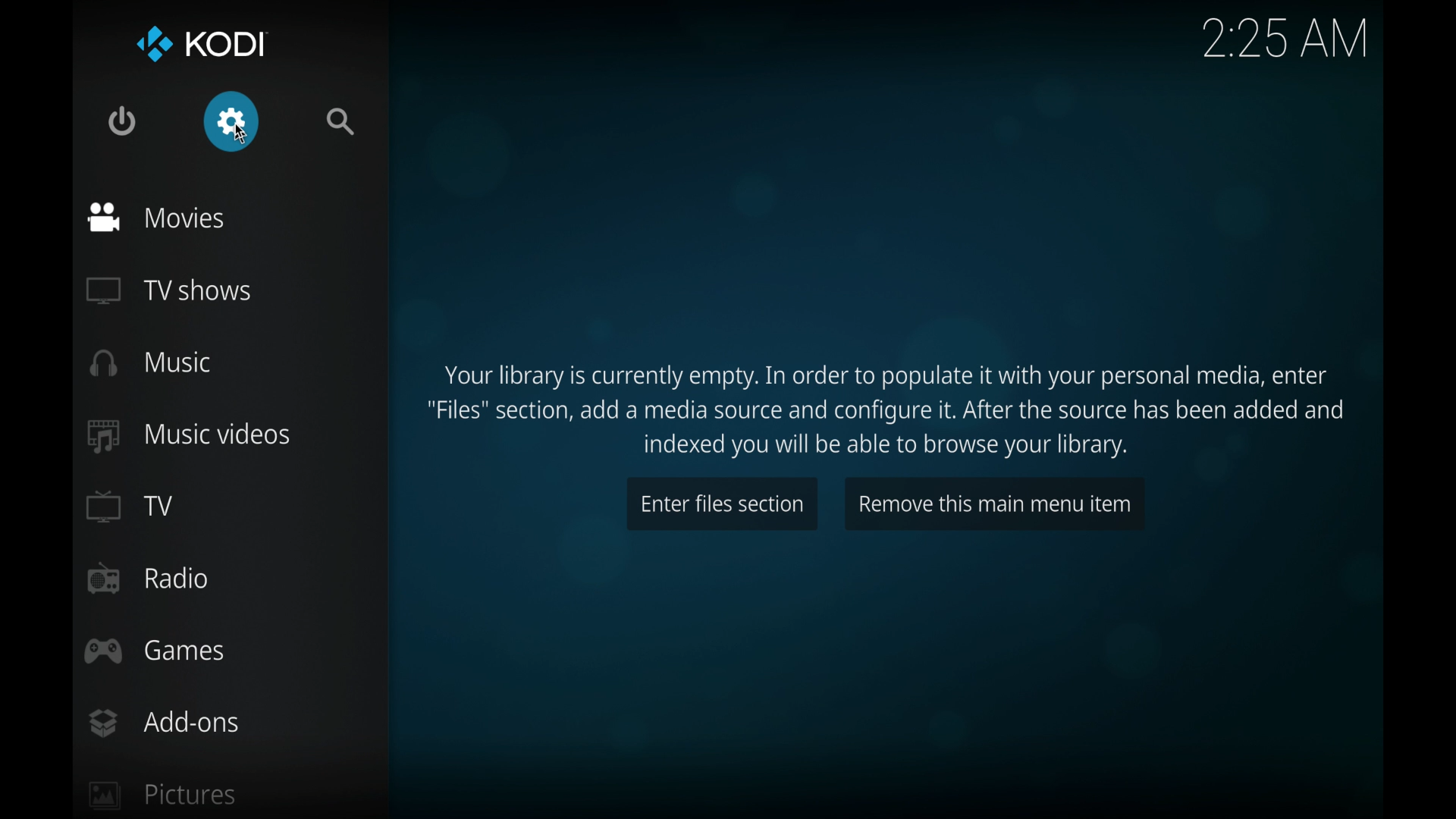 This screenshot has height=819, width=1456. What do you see at coordinates (993, 502) in the screenshot?
I see `remove this main menu item` at bounding box center [993, 502].